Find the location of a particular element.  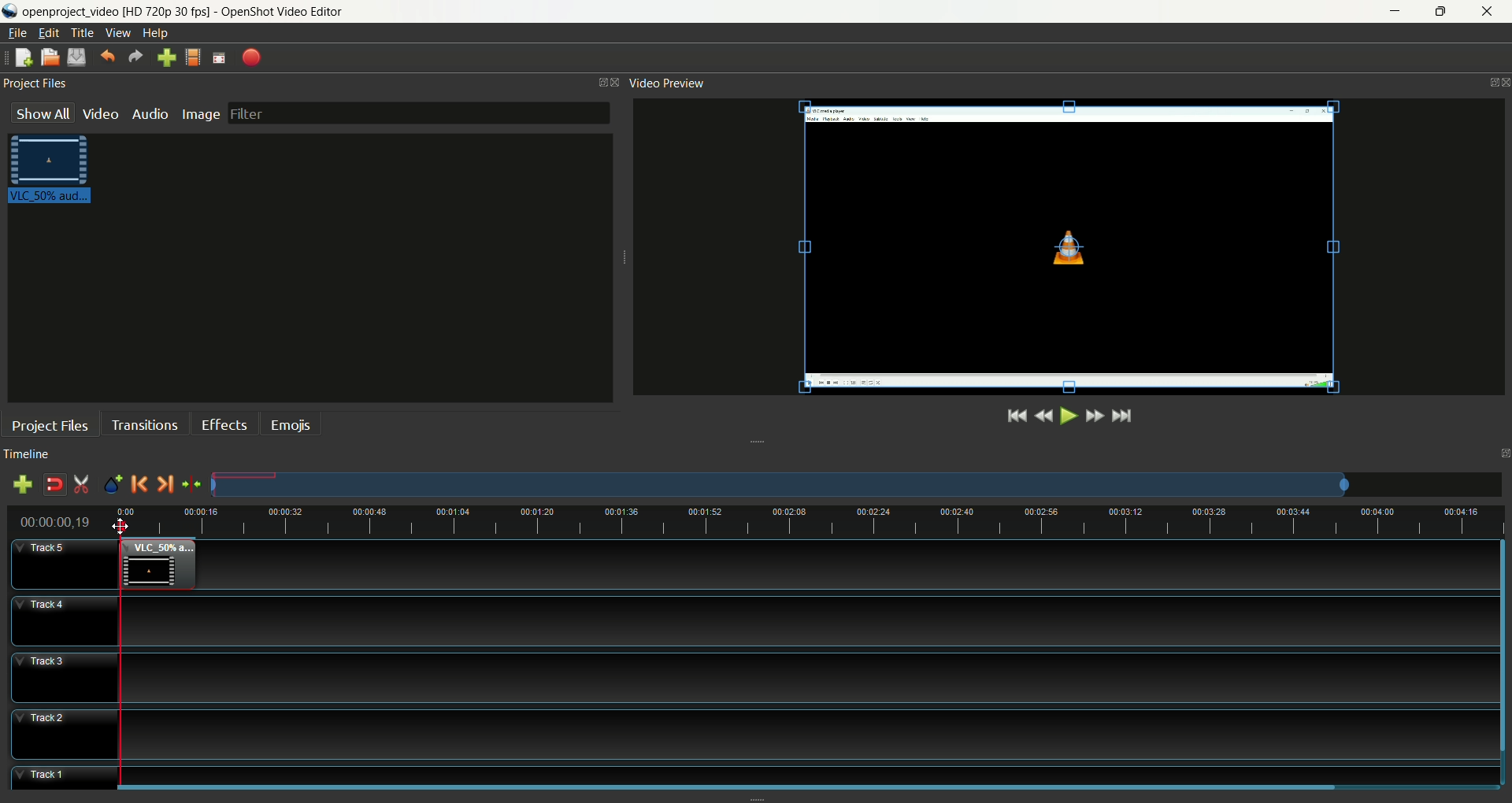

import file is located at coordinates (165, 57).